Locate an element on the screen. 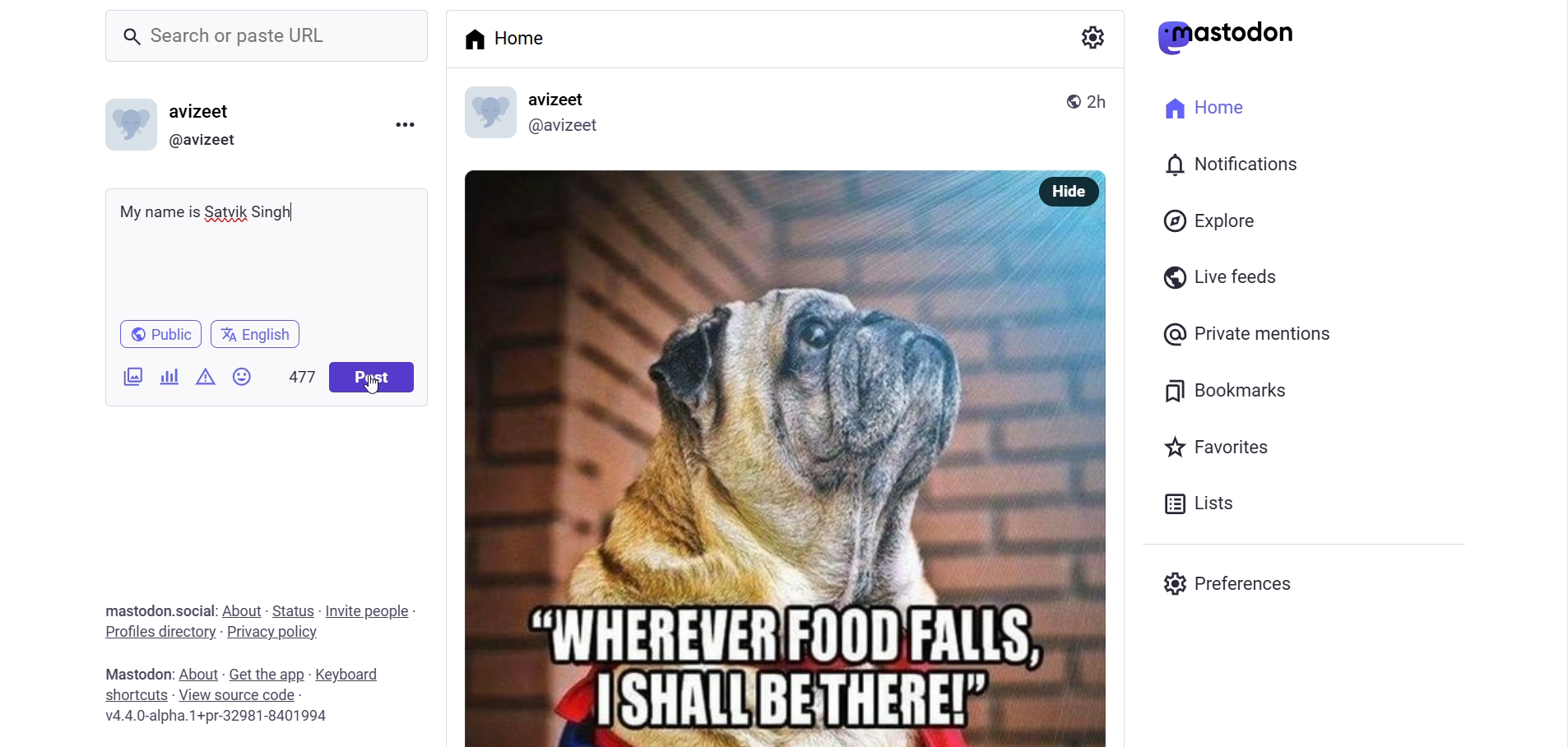  Private mentions is located at coordinates (1269, 336).